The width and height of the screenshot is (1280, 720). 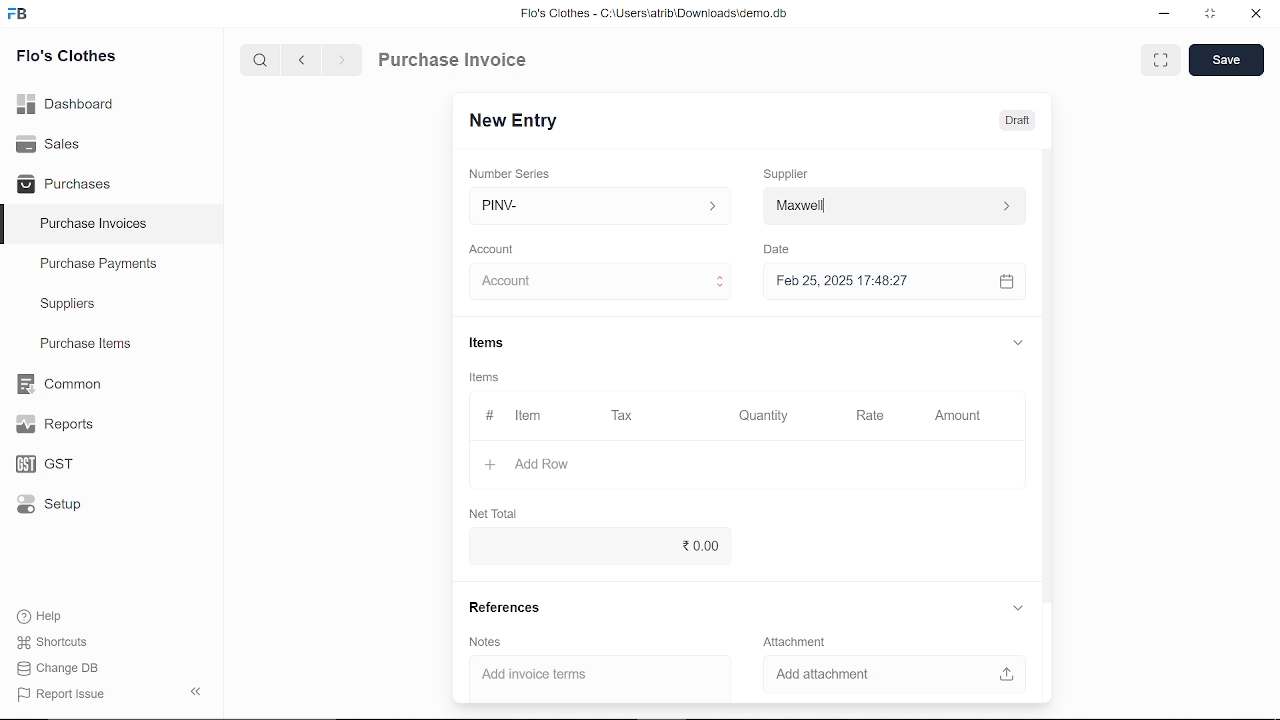 What do you see at coordinates (58, 694) in the screenshot?
I see `J Report Issue` at bounding box center [58, 694].